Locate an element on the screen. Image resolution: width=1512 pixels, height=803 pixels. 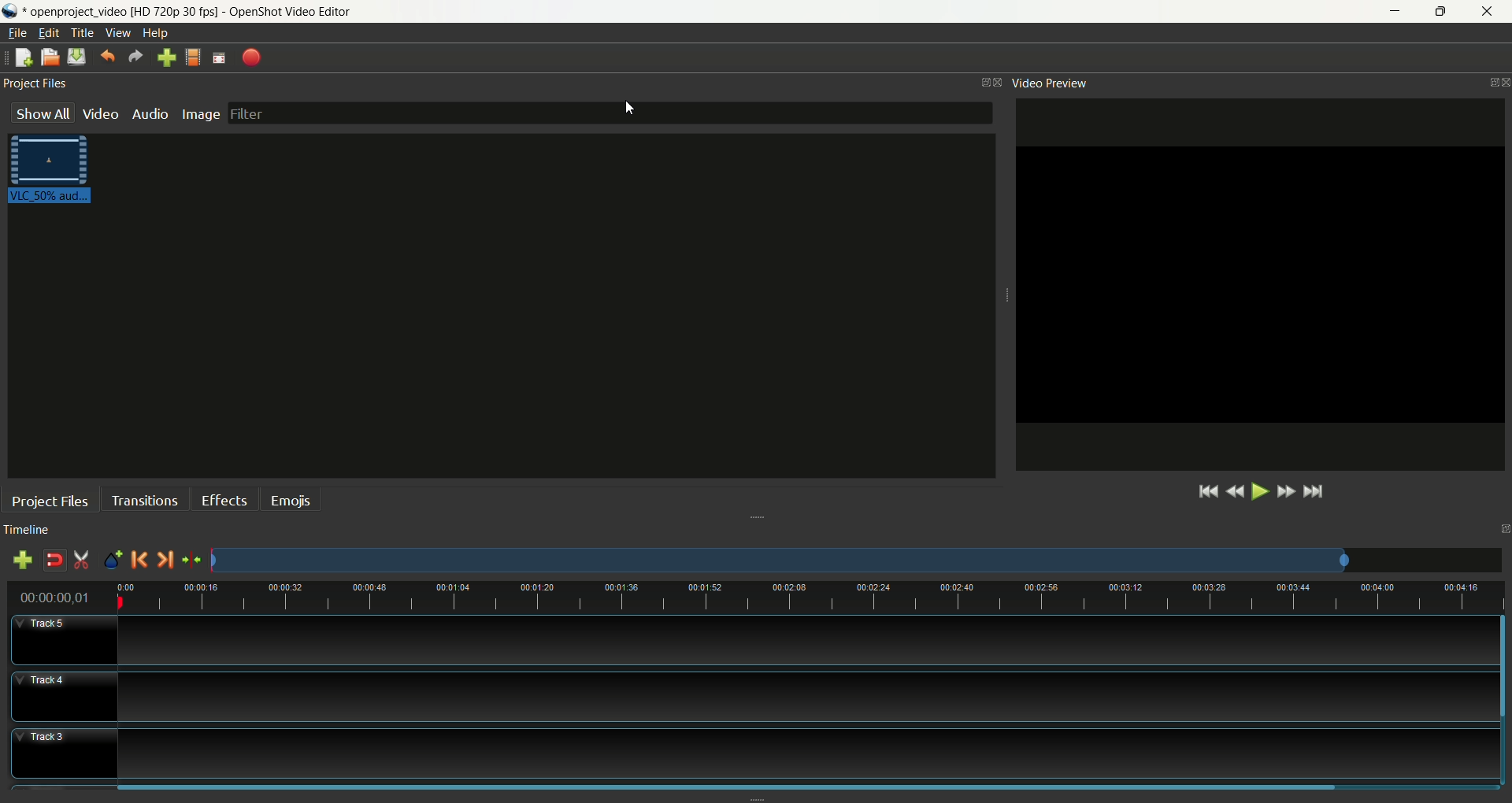
effects is located at coordinates (225, 498).